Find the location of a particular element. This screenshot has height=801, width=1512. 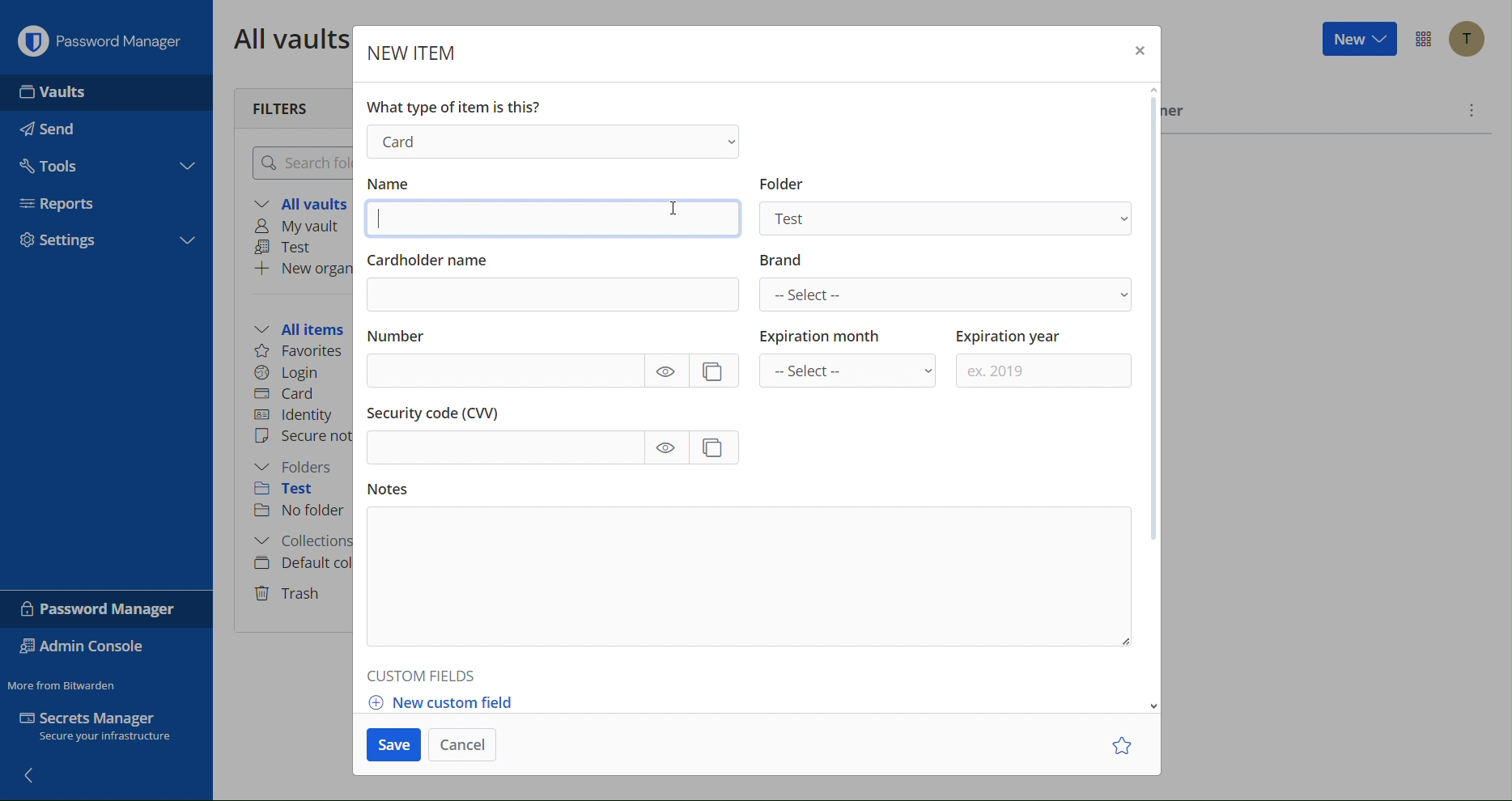

Cardholder name is located at coordinates (553, 282).